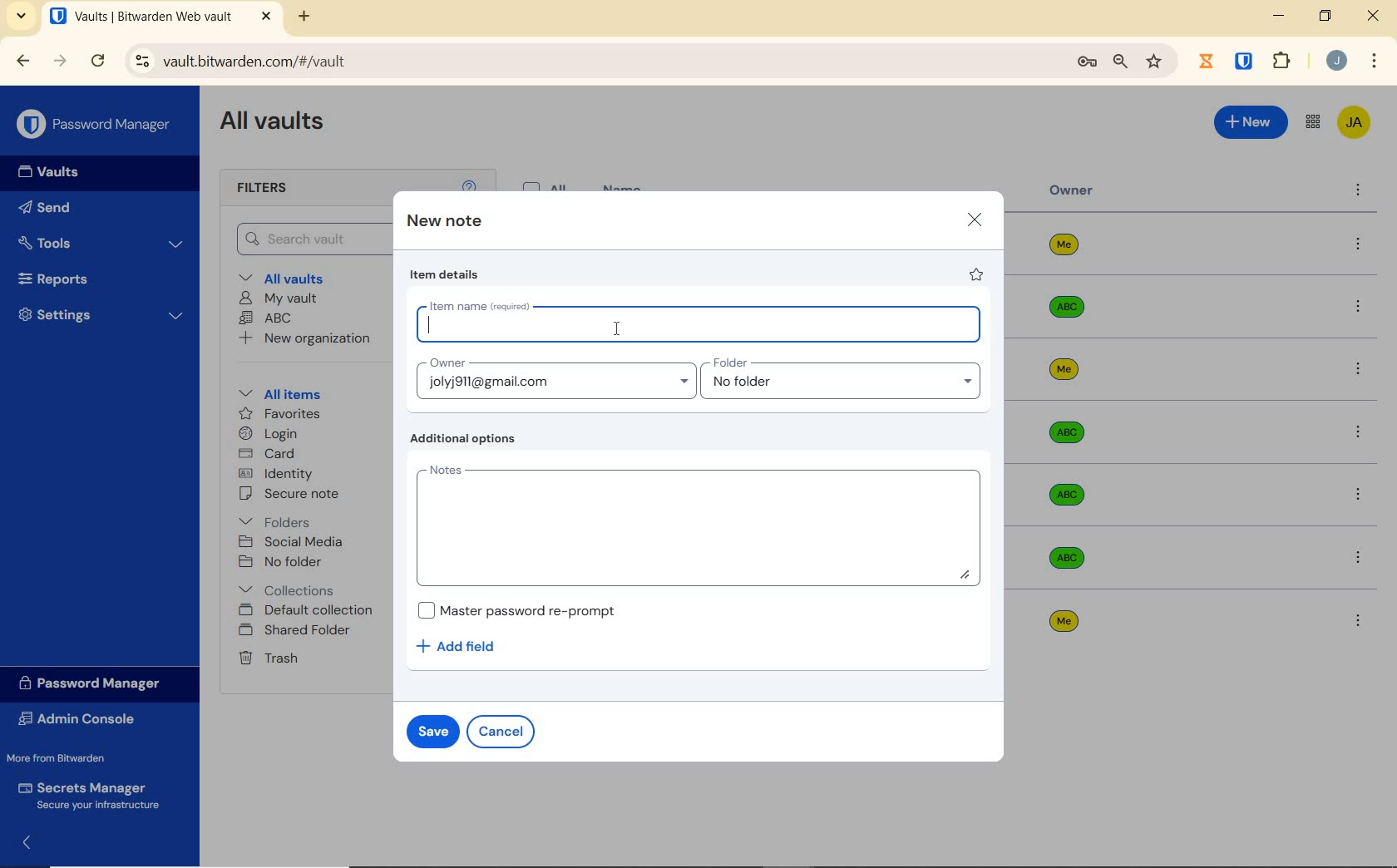 This screenshot has width=1397, height=868. What do you see at coordinates (284, 562) in the screenshot?
I see `No folder` at bounding box center [284, 562].